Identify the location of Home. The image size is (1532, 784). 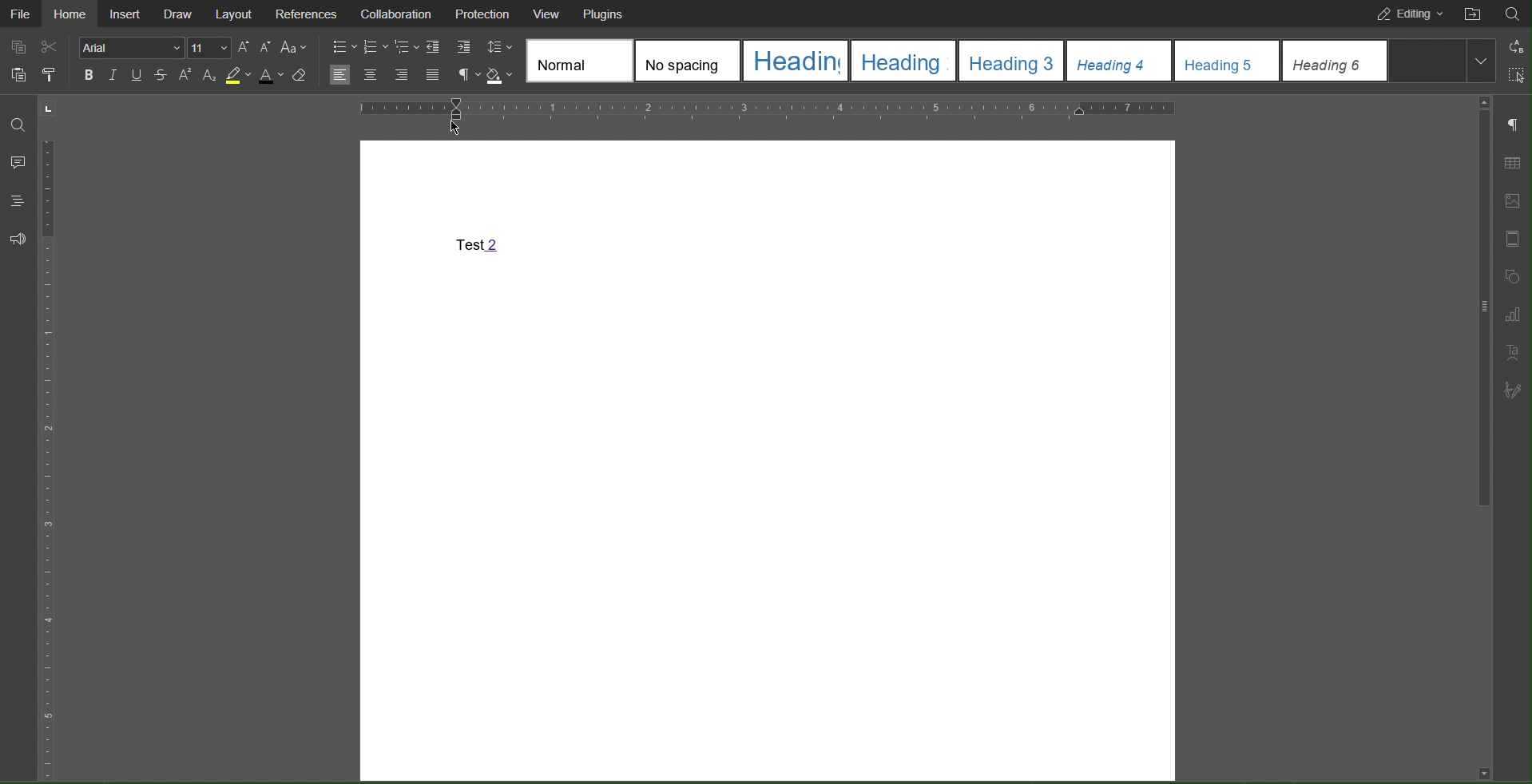
(73, 14).